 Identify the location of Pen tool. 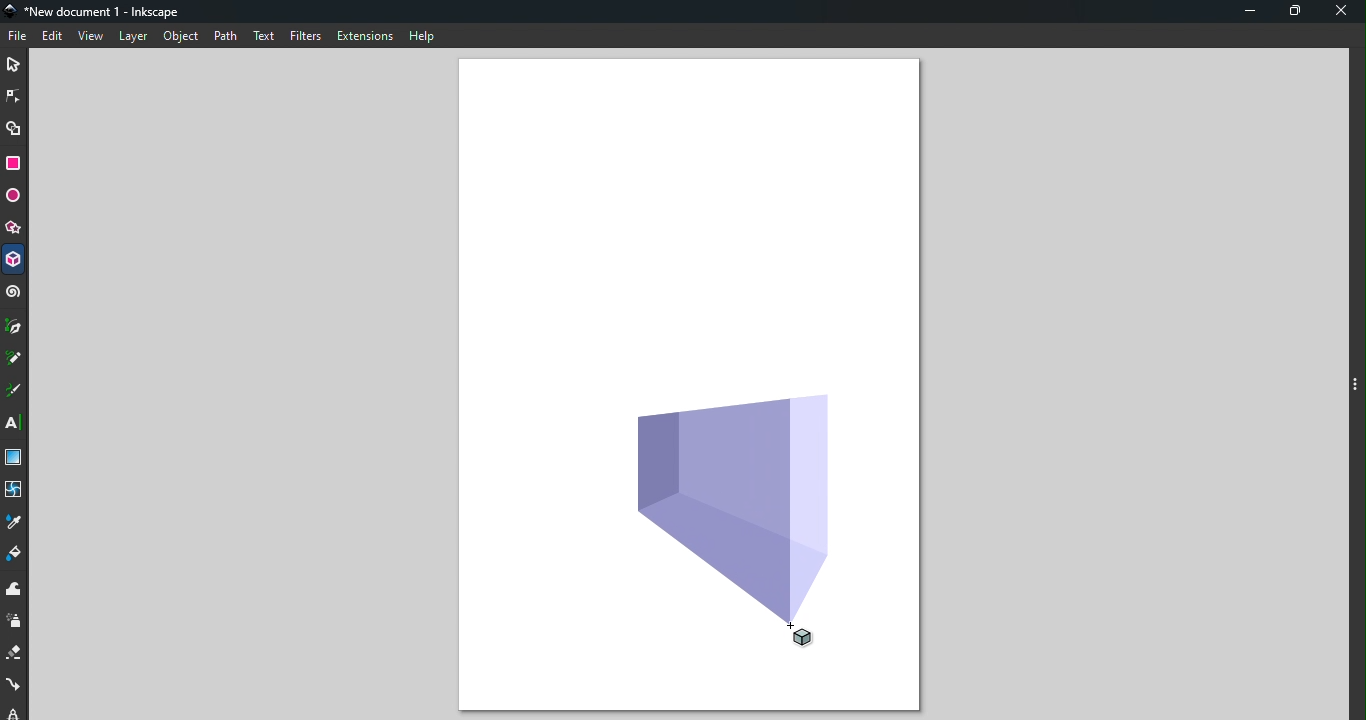
(16, 328).